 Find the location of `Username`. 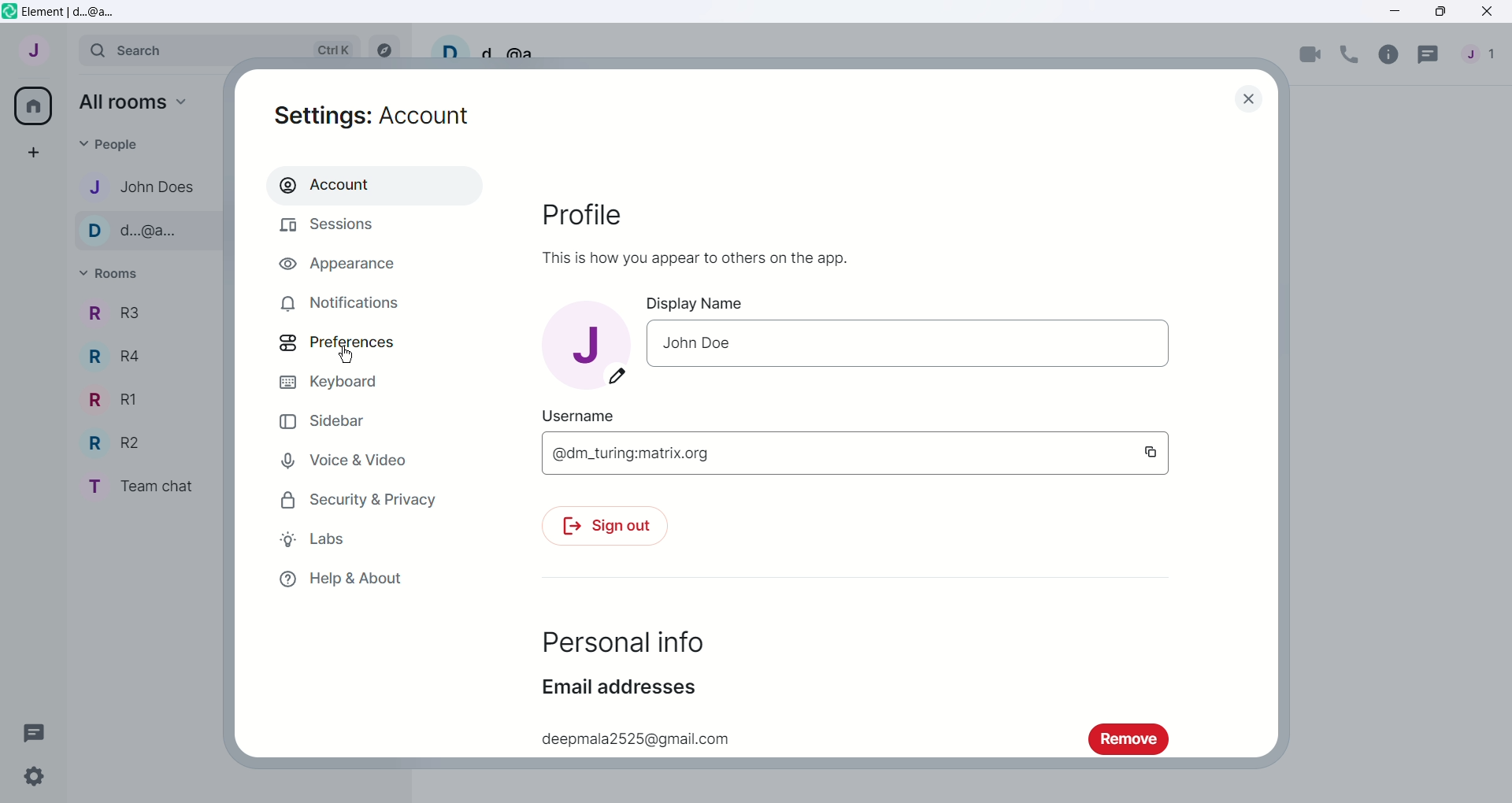

Username is located at coordinates (577, 416).